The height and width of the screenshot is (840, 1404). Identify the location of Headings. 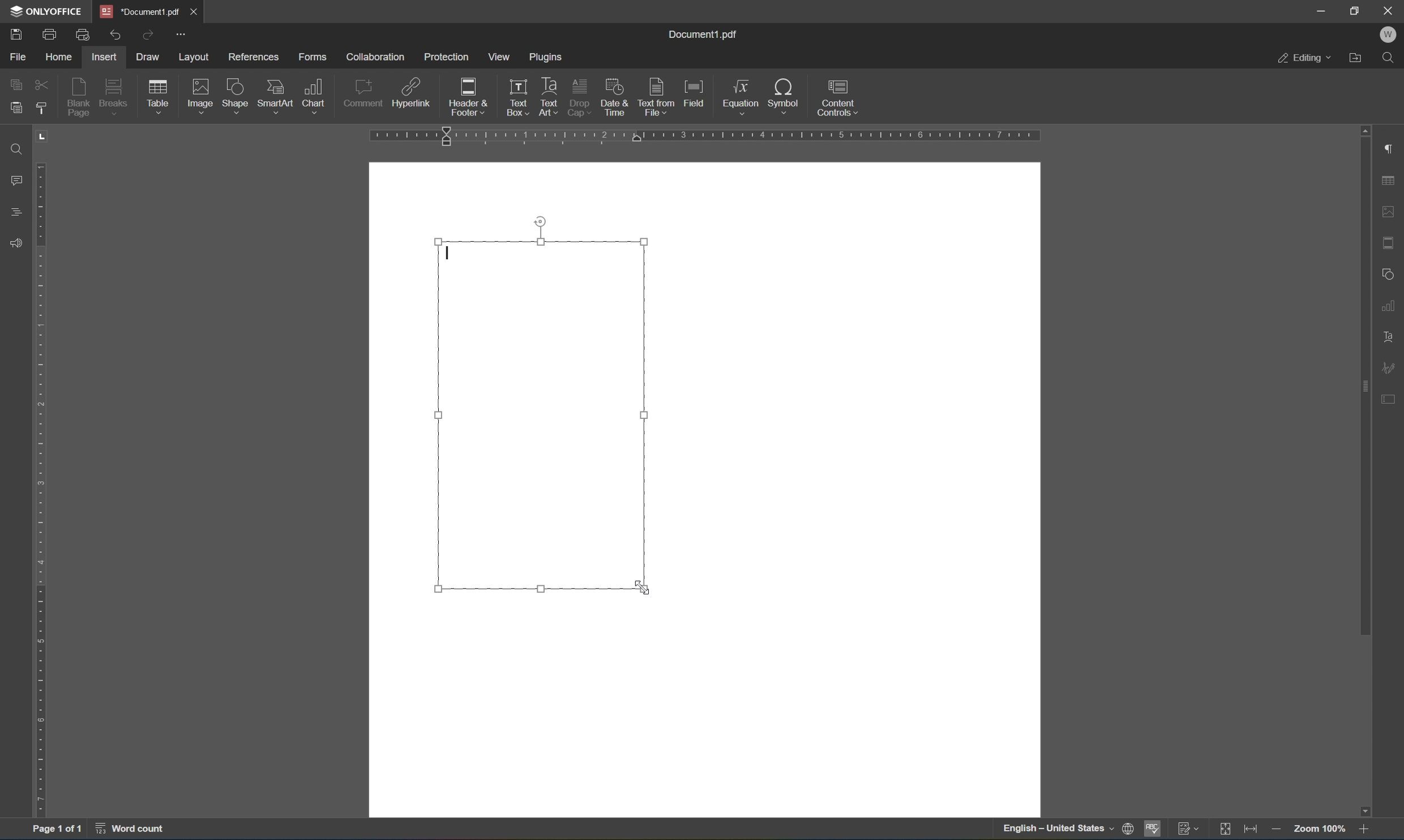
(17, 212).